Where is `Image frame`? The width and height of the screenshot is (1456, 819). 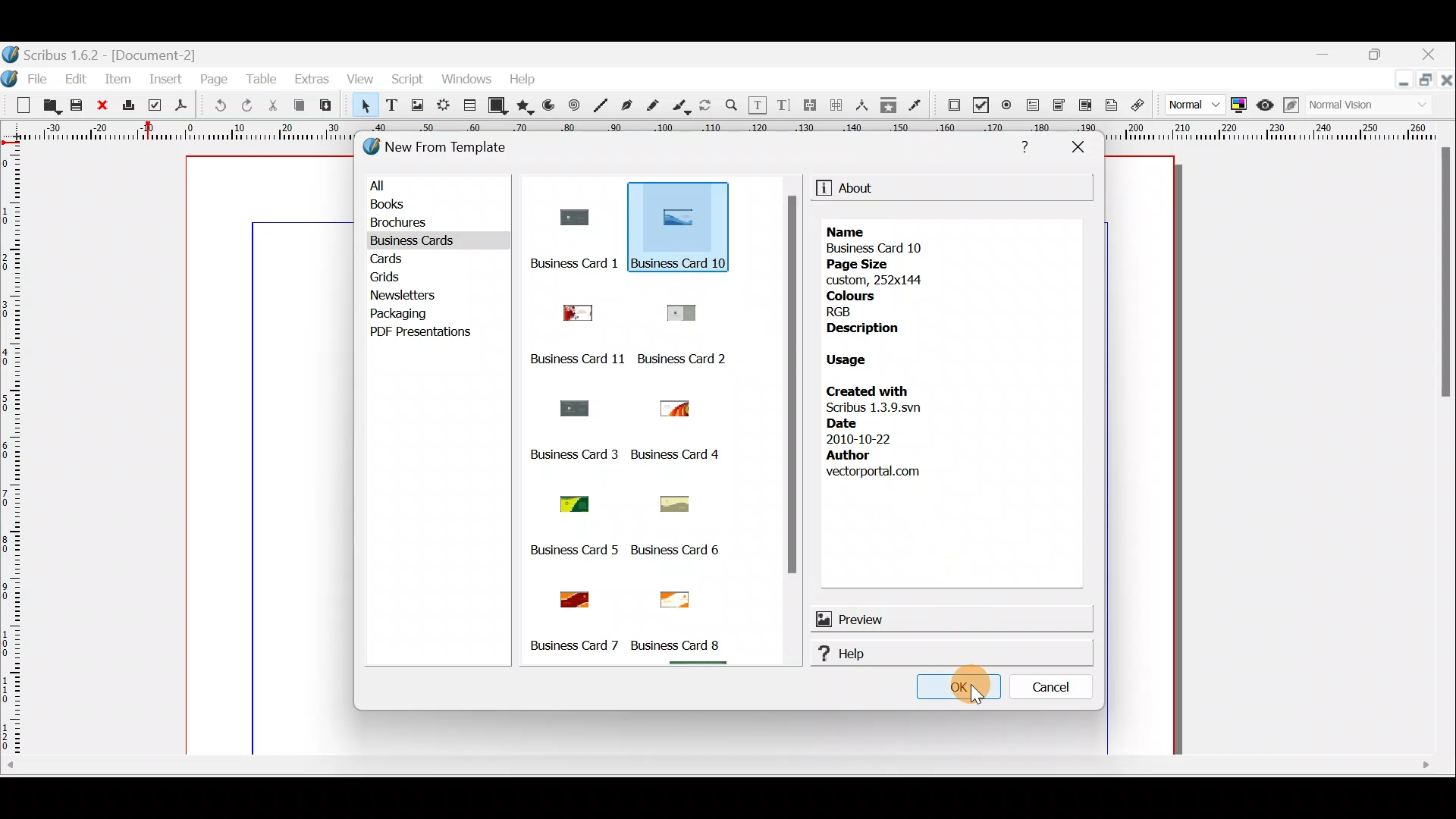
Image frame is located at coordinates (417, 108).